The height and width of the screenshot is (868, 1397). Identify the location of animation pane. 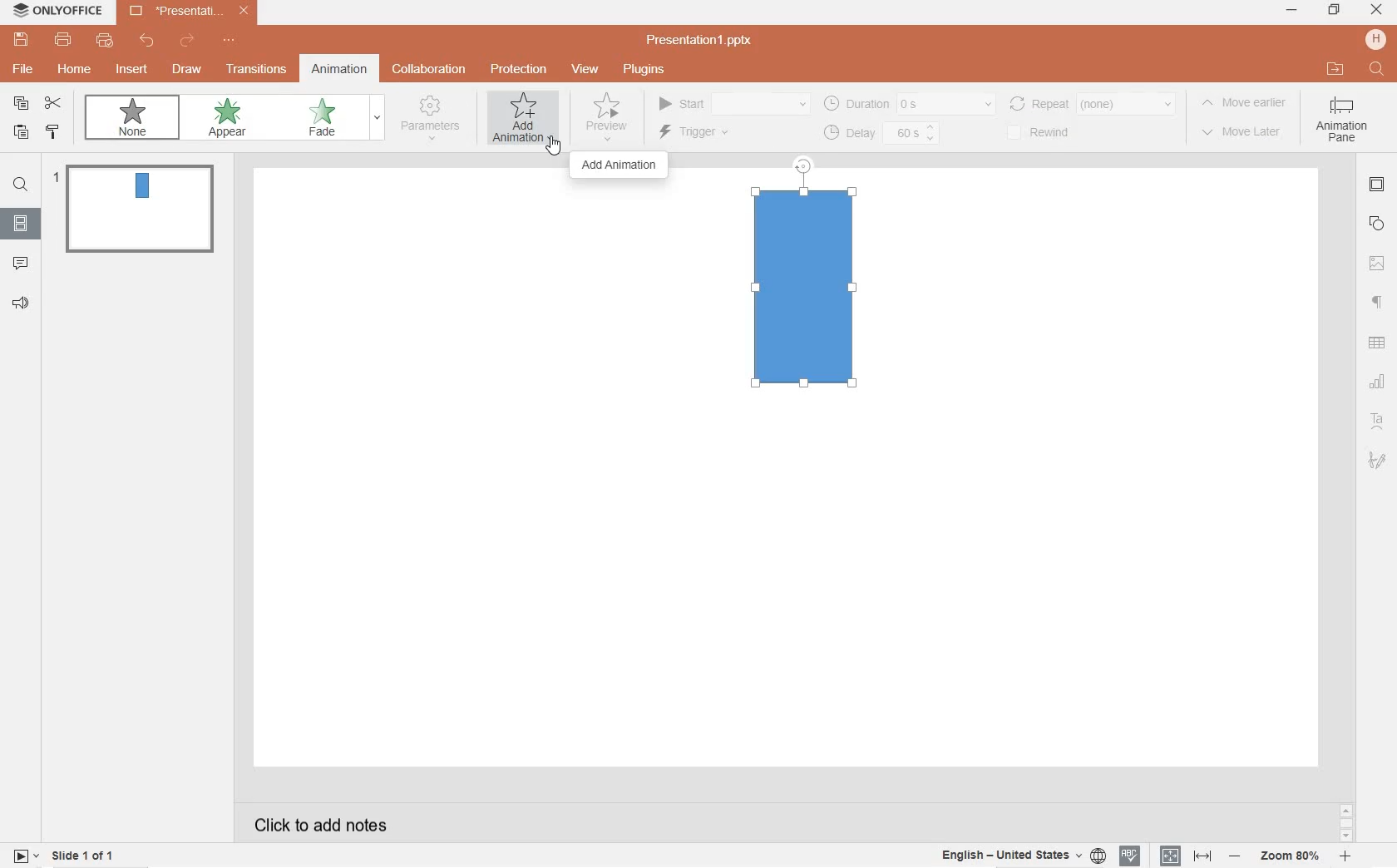
(1345, 124).